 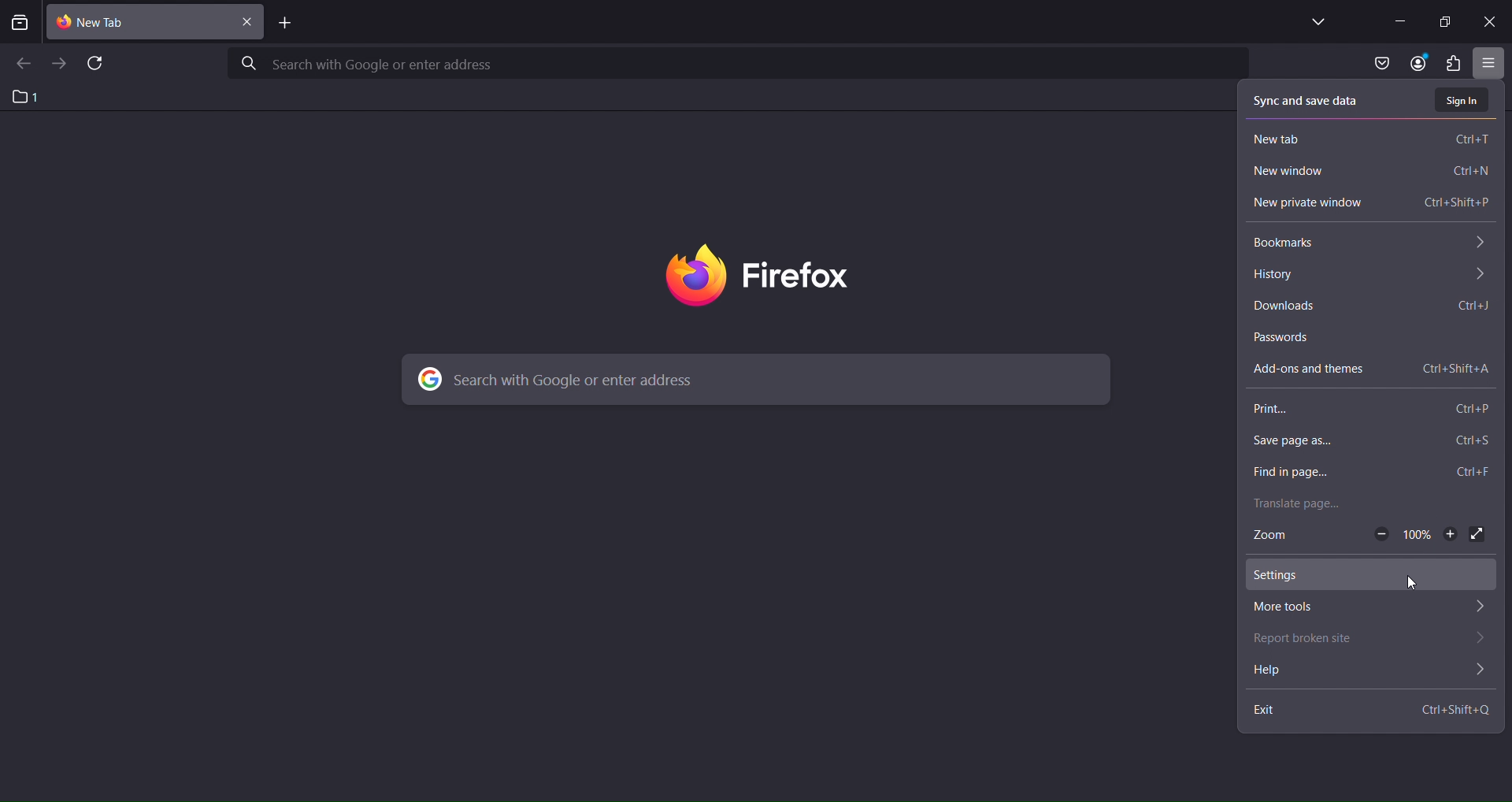 What do you see at coordinates (250, 20) in the screenshot?
I see `close tab` at bounding box center [250, 20].